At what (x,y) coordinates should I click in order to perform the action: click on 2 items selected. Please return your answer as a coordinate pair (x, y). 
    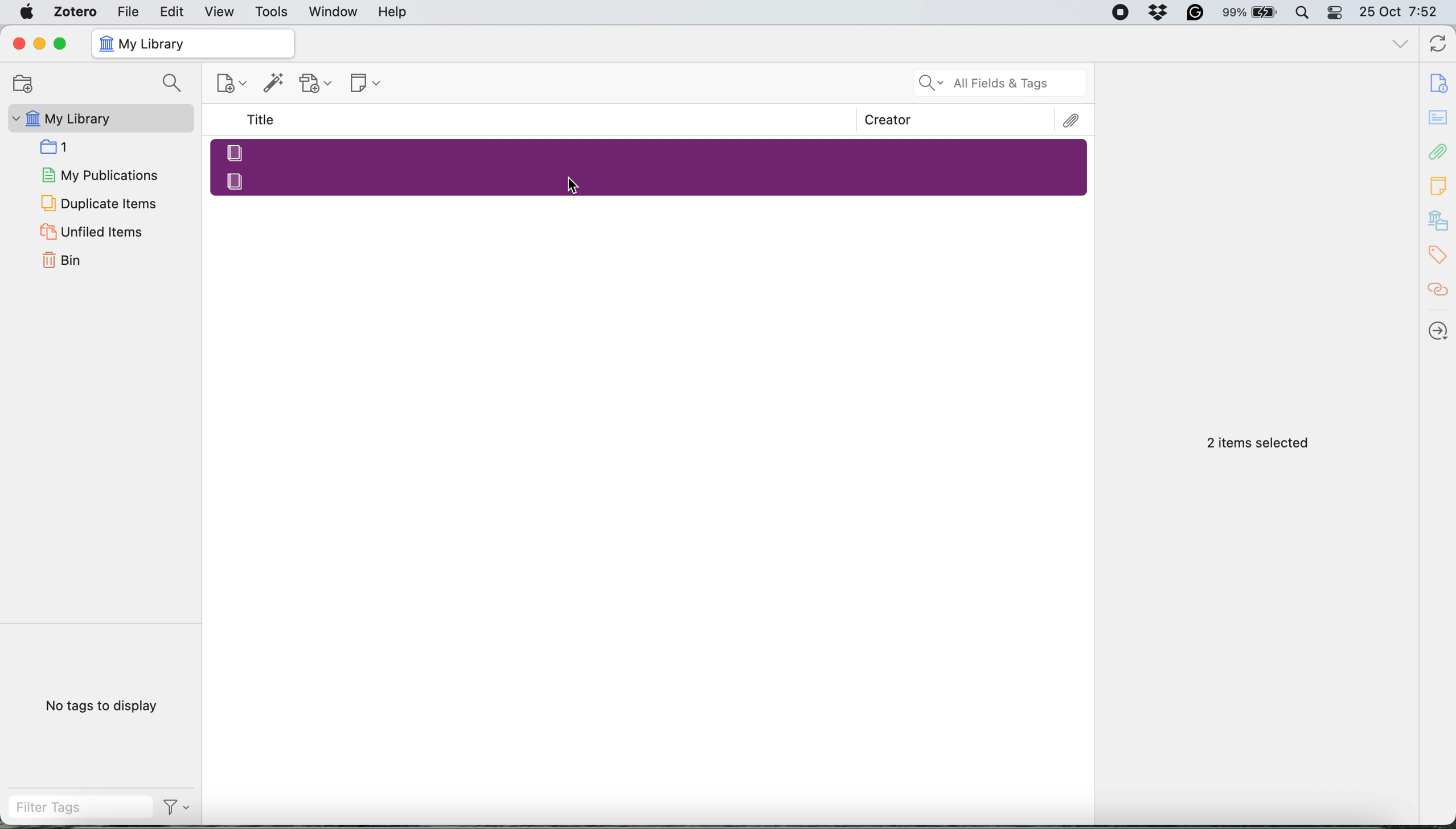
    Looking at the image, I should click on (1258, 444).